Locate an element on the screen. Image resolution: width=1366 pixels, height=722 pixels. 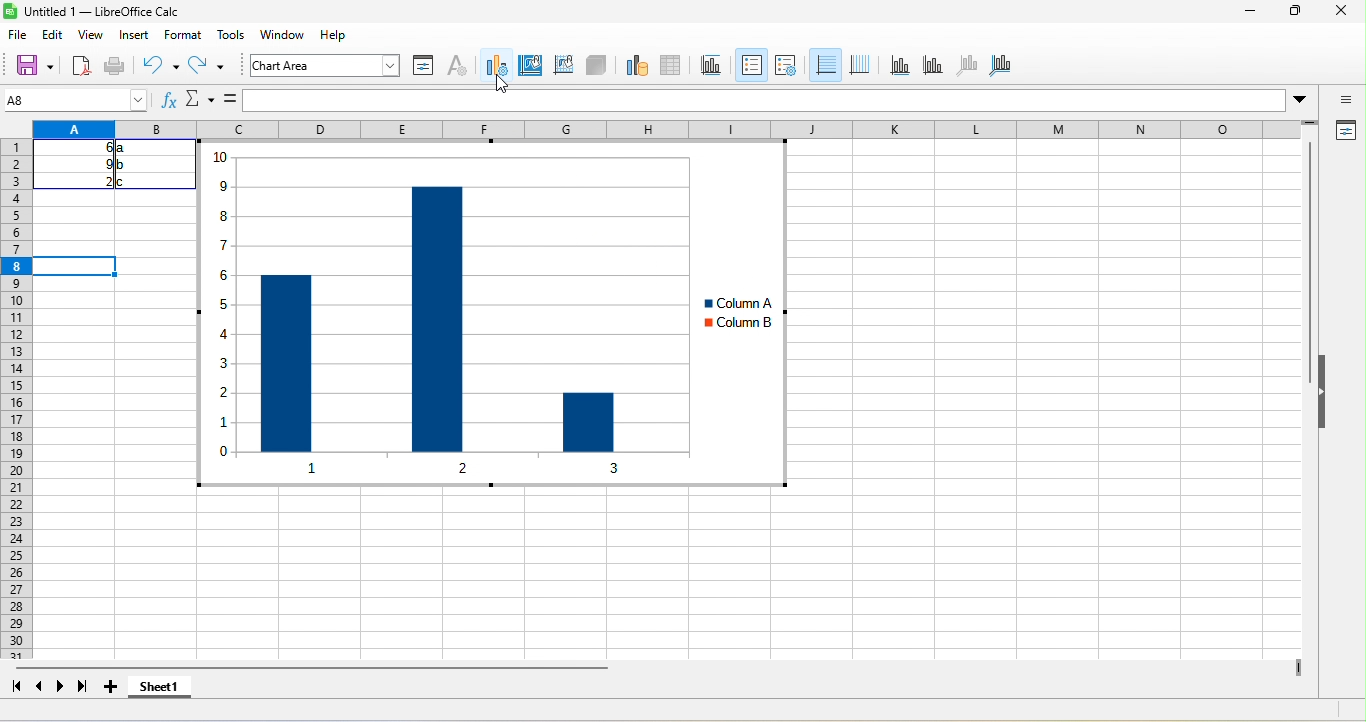
z axis is located at coordinates (964, 66).